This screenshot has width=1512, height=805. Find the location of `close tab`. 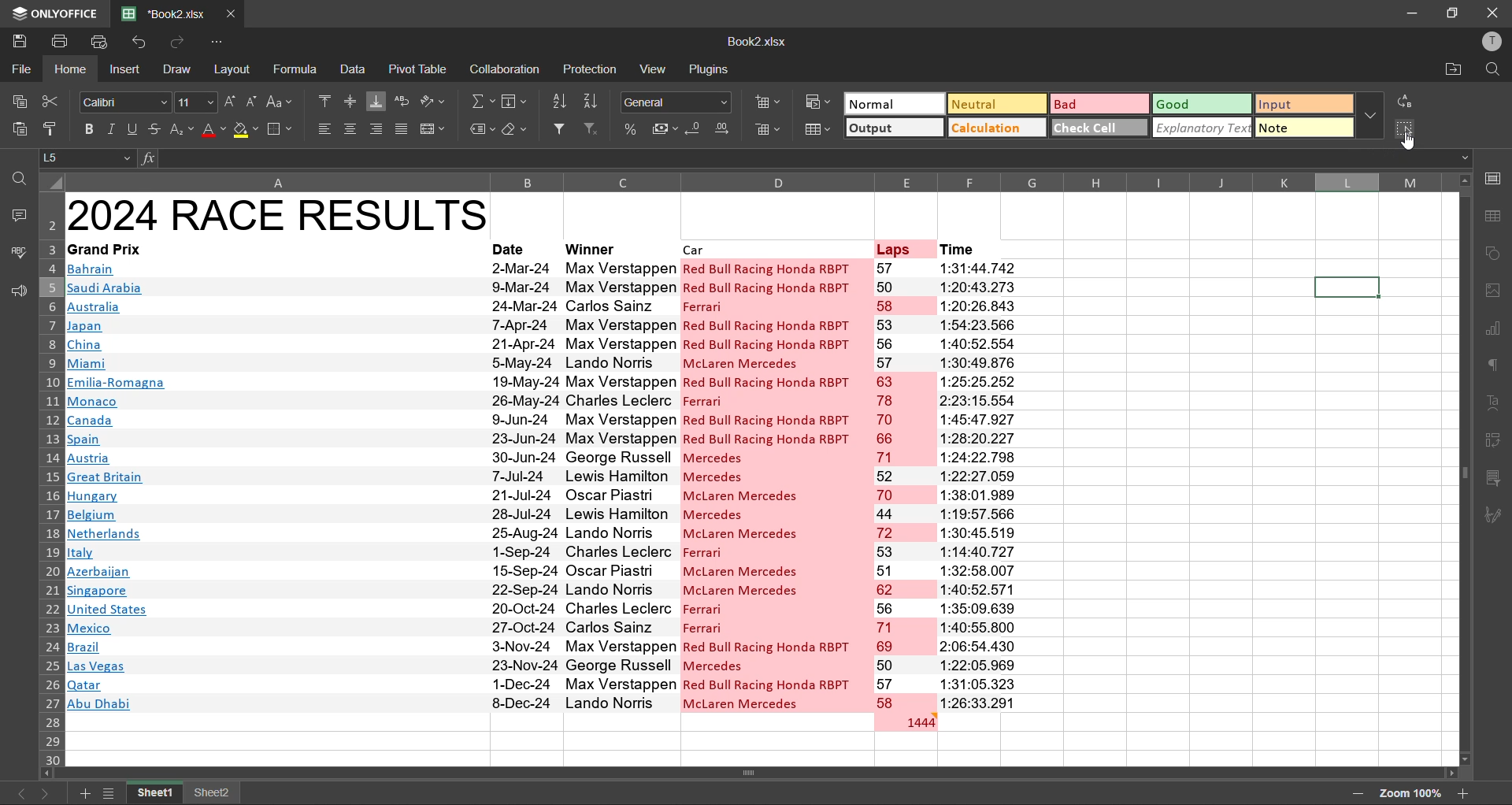

close tab is located at coordinates (233, 13).